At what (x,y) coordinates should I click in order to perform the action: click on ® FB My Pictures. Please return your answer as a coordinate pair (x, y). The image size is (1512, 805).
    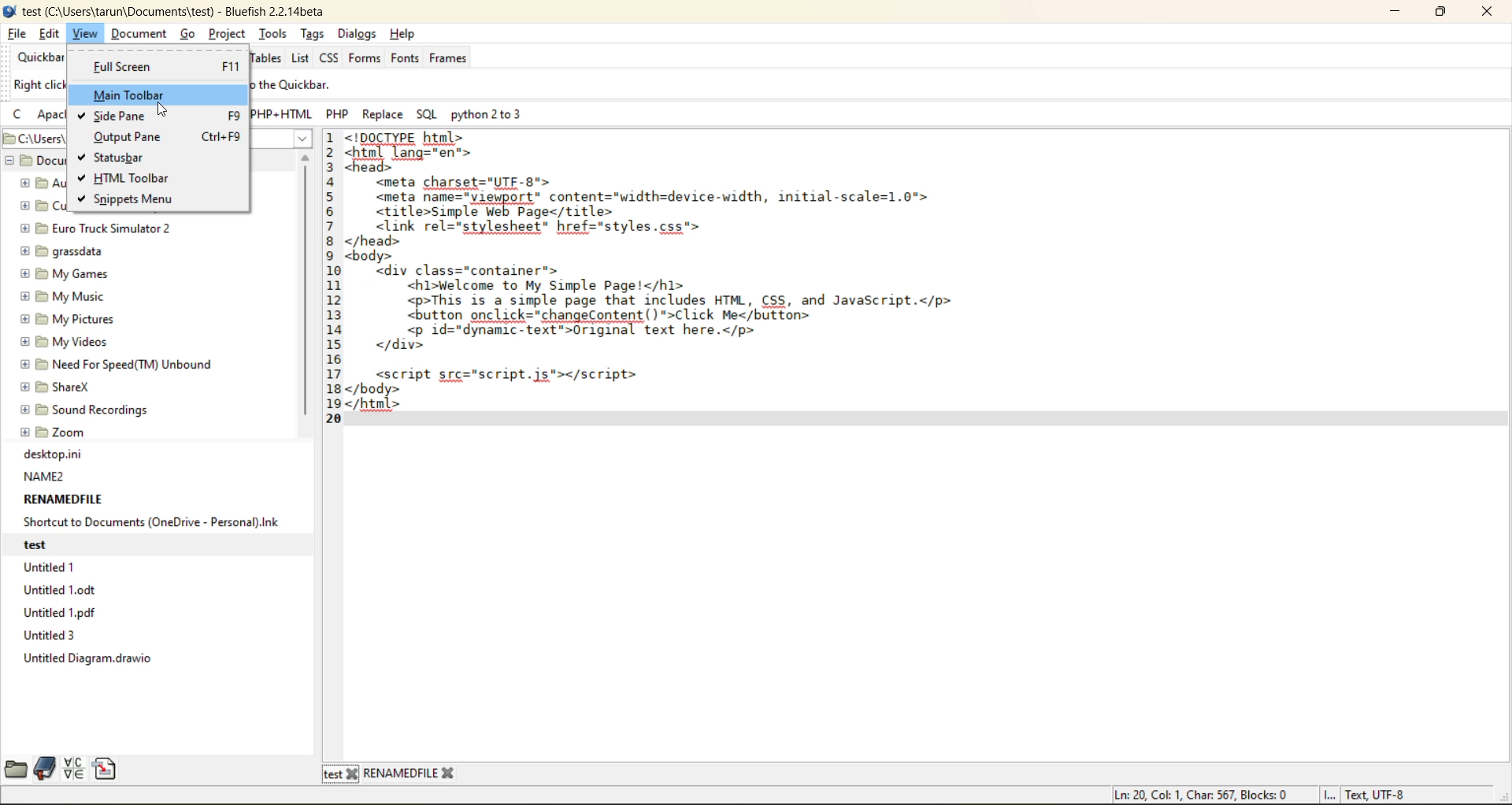
    Looking at the image, I should click on (66, 319).